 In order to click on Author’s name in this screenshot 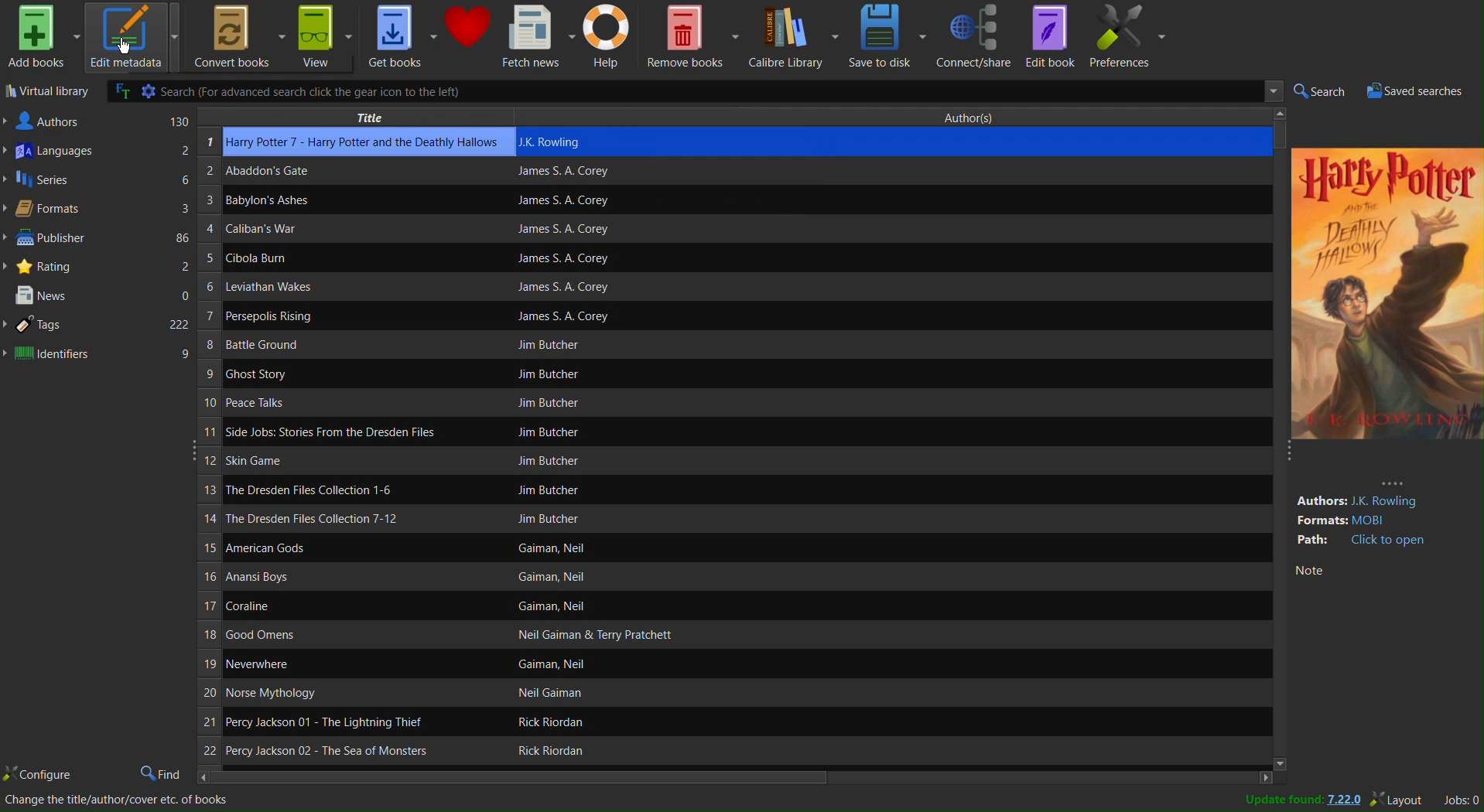, I will do `click(610, 752)`.